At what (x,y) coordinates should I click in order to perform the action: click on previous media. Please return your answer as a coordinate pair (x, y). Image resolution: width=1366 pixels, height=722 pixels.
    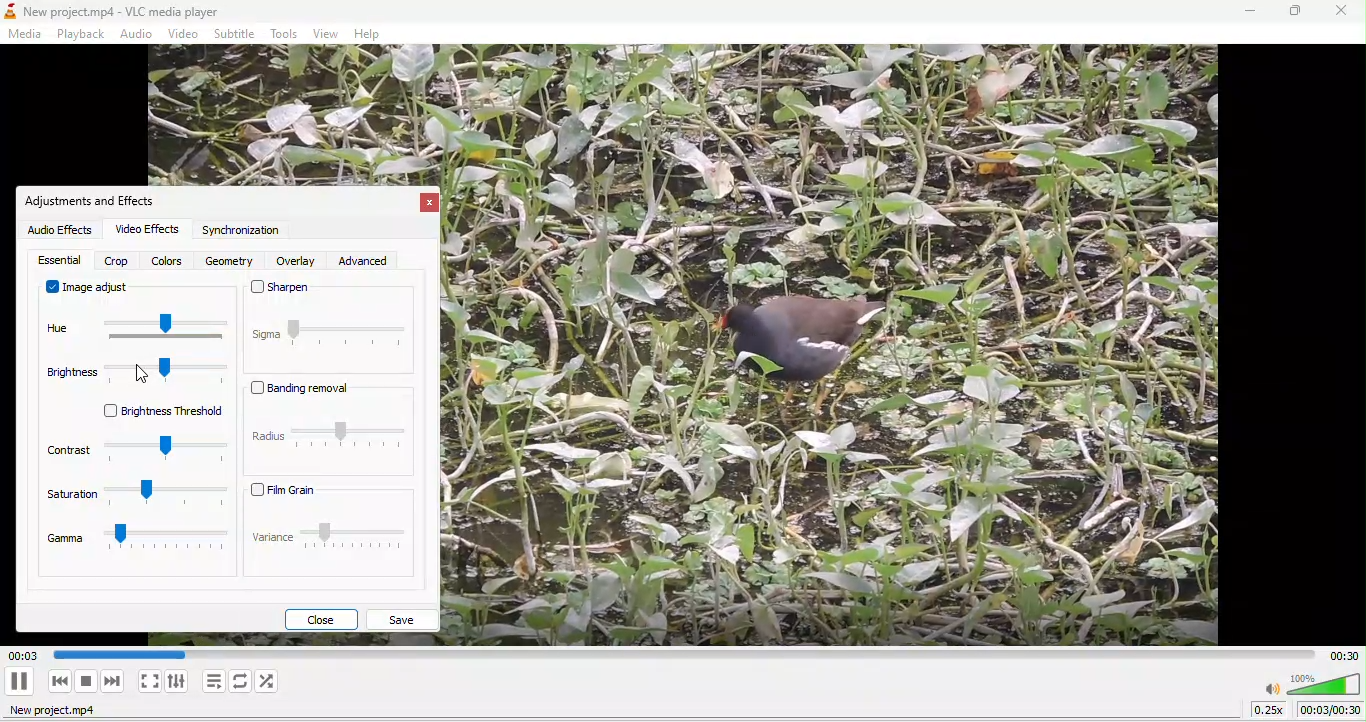
    Looking at the image, I should click on (59, 681).